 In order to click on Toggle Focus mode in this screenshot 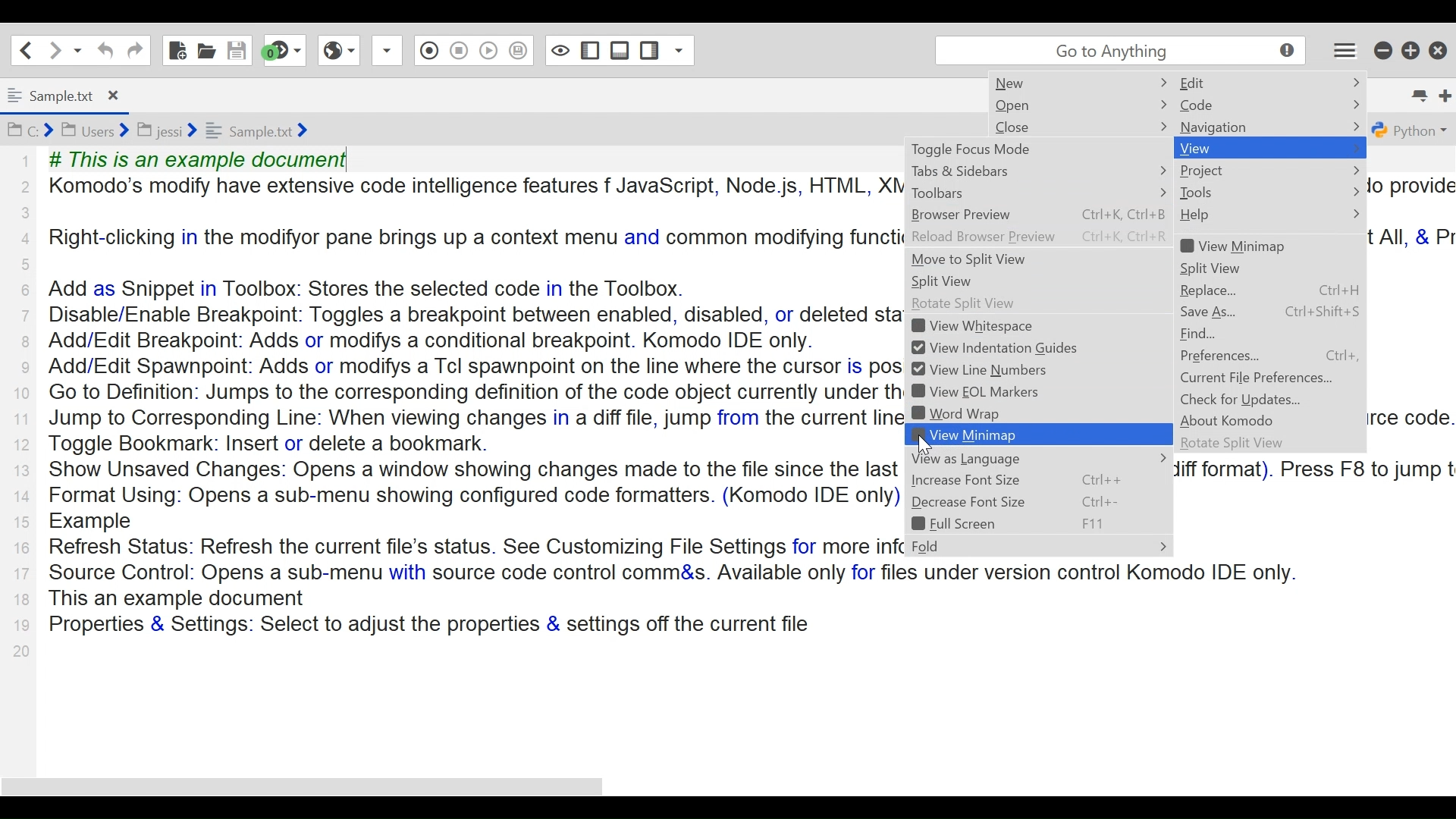, I will do `click(520, 53)`.